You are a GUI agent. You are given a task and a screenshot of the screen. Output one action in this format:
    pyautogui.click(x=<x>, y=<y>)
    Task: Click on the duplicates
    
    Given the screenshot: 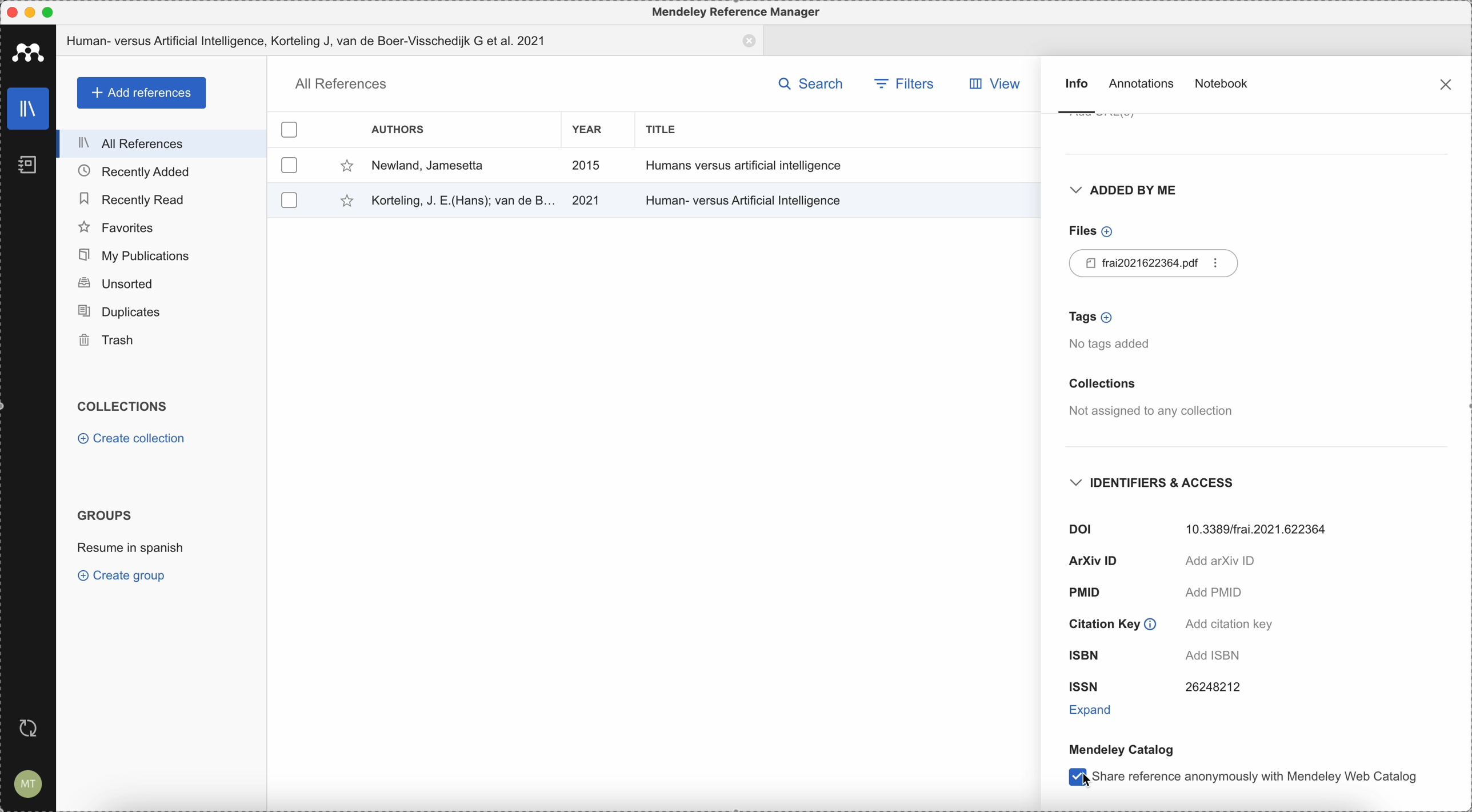 What is the action you would take?
    pyautogui.click(x=160, y=313)
    